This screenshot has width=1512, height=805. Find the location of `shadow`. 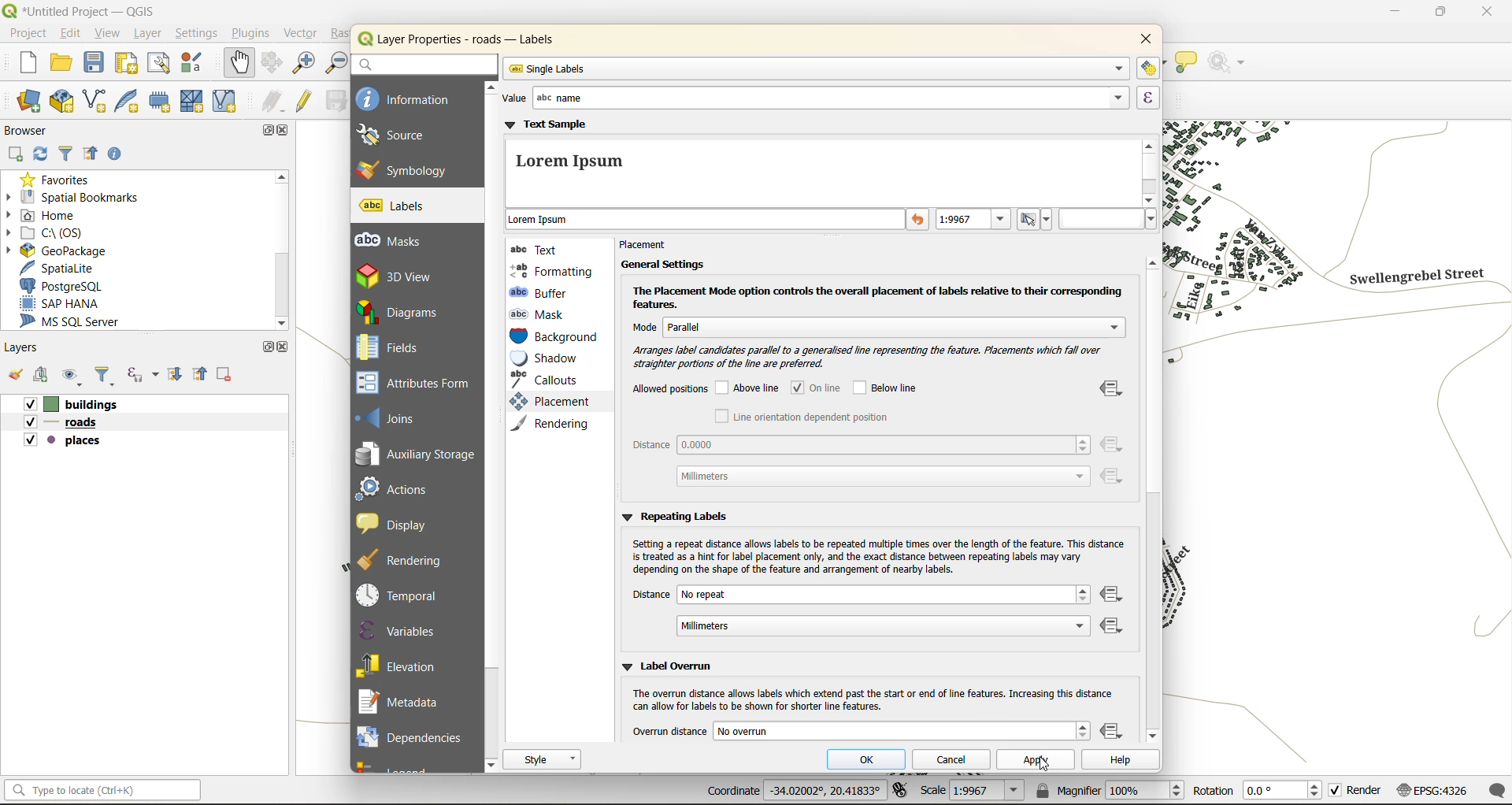

shadow is located at coordinates (554, 358).